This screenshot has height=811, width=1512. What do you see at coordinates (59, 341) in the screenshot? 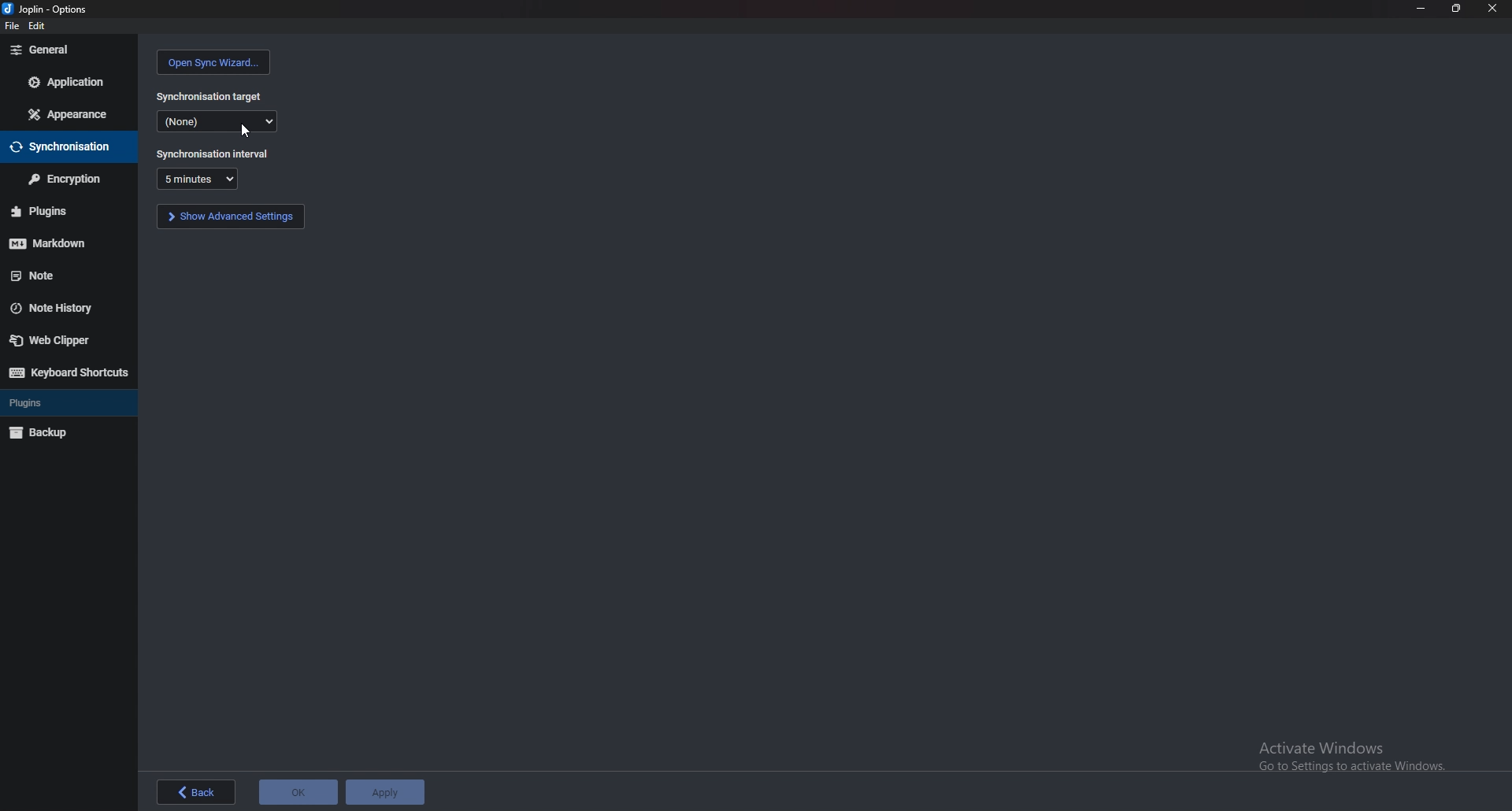
I see `web clipper` at bounding box center [59, 341].